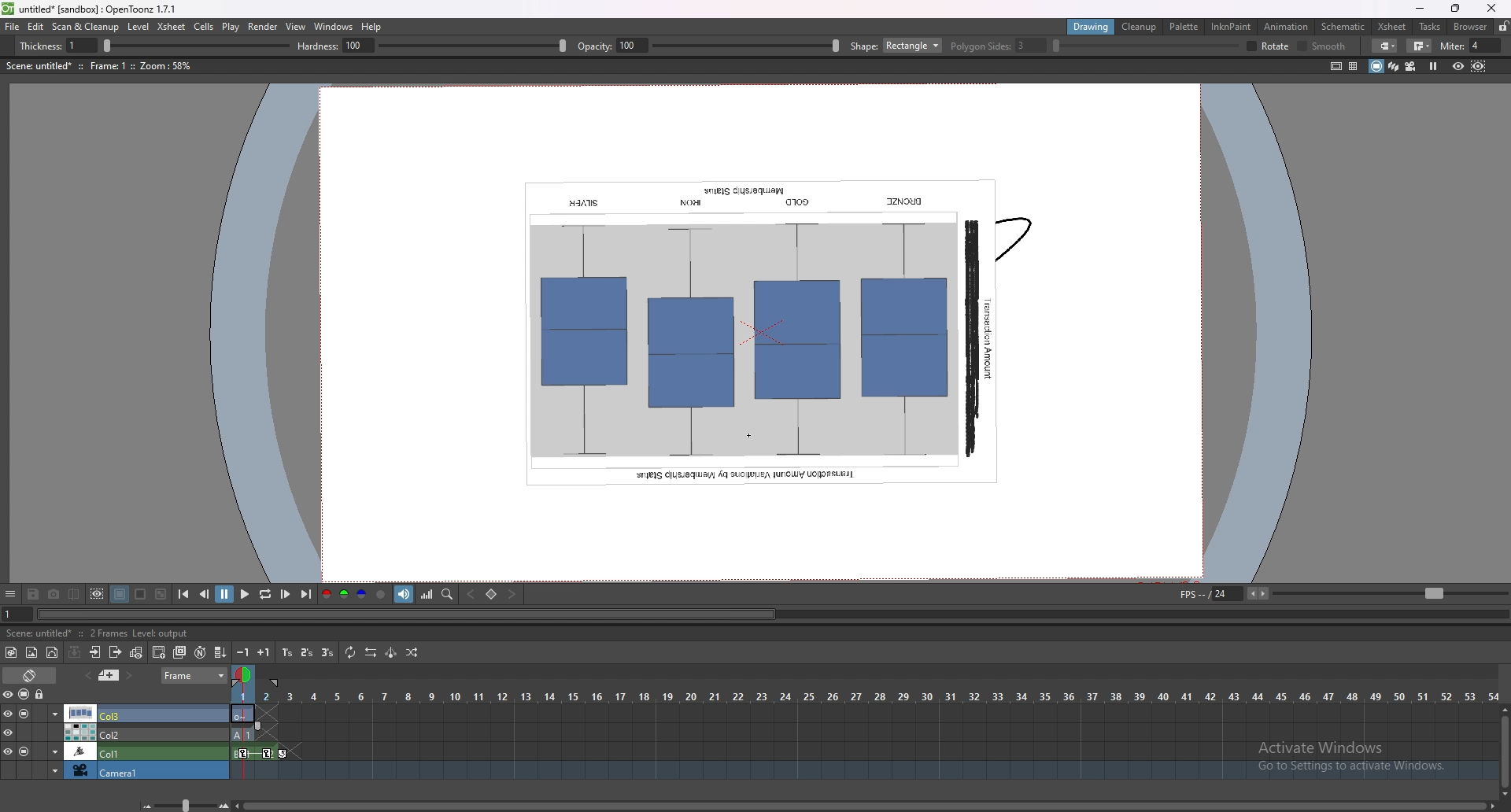 The image size is (1511, 812). I want to click on autofill cells, so click(220, 652).